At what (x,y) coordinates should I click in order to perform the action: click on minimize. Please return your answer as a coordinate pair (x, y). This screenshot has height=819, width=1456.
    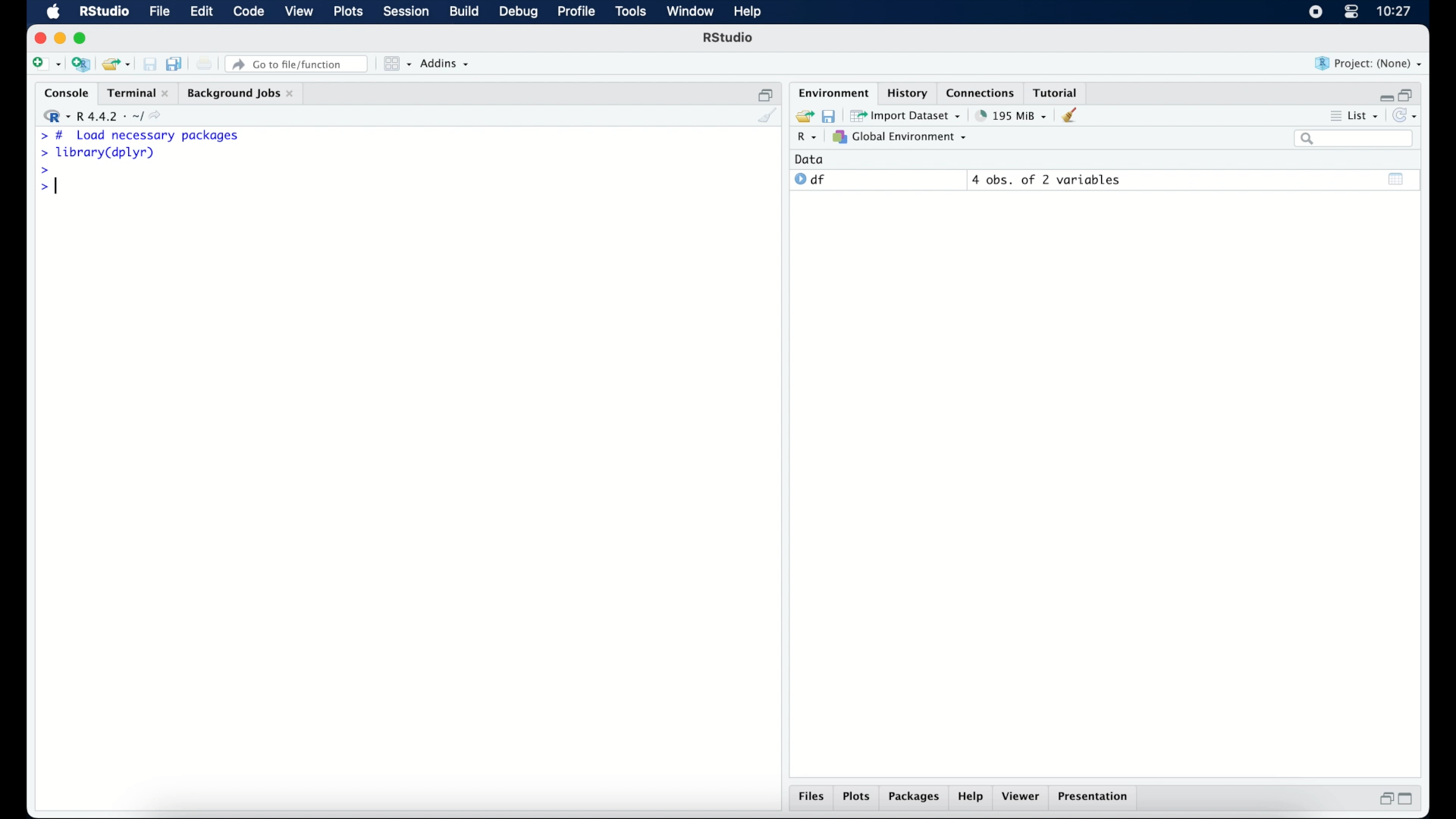
    Looking at the image, I should click on (60, 38).